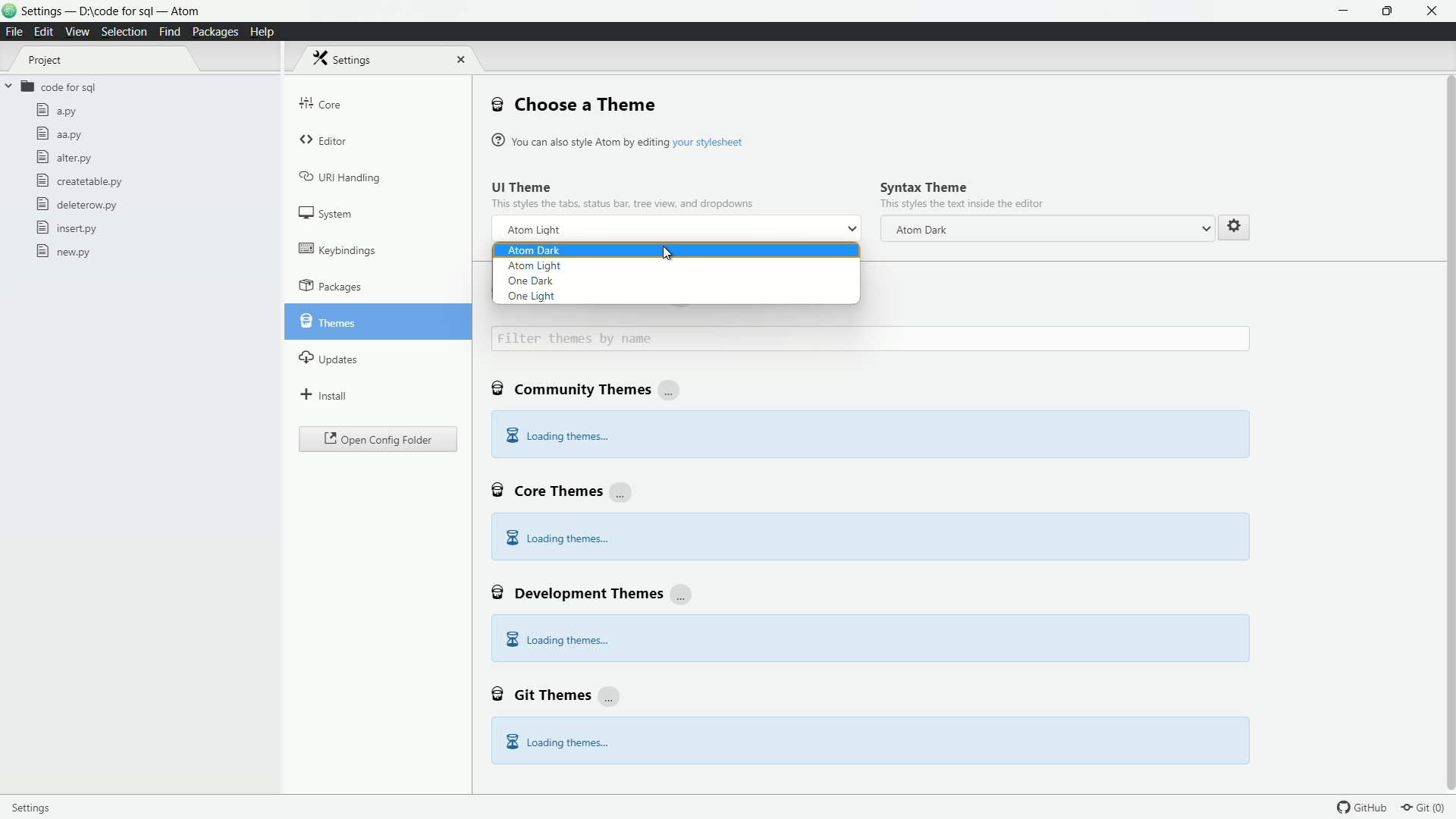  I want to click on git themes, so click(557, 693).